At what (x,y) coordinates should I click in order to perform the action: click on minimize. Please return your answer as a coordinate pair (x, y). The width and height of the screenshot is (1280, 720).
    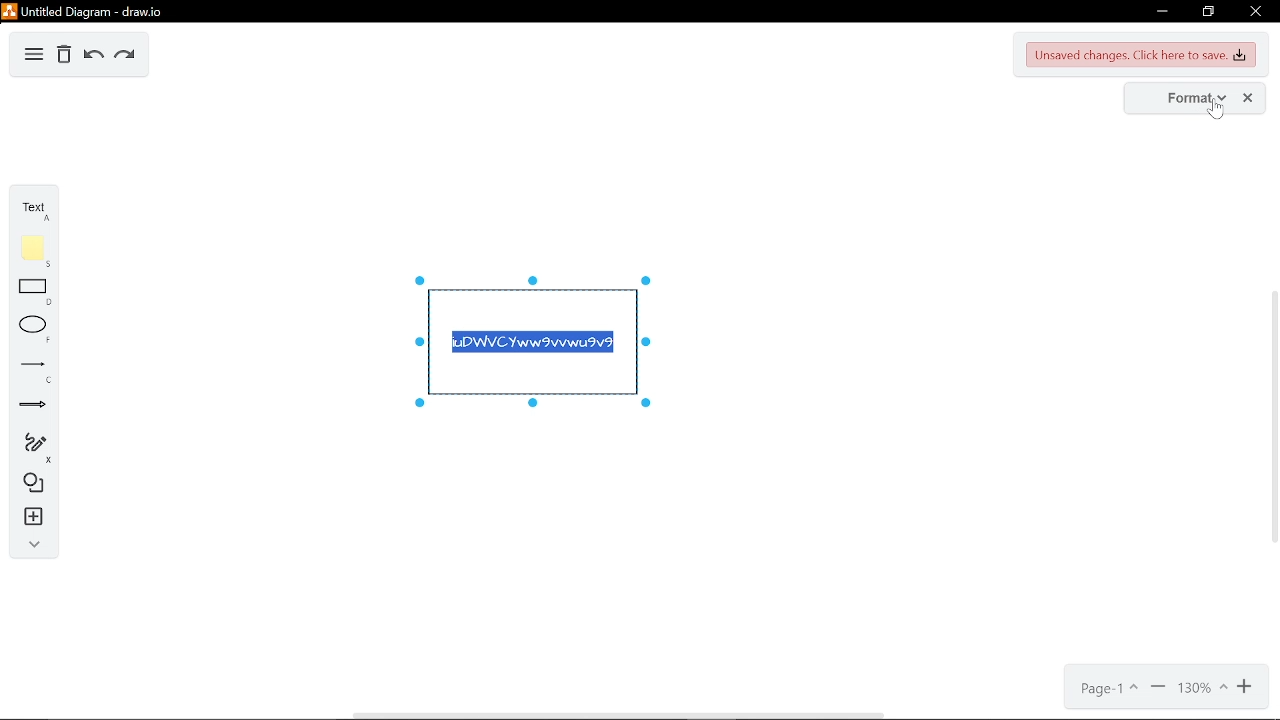
    Looking at the image, I should click on (1162, 13).